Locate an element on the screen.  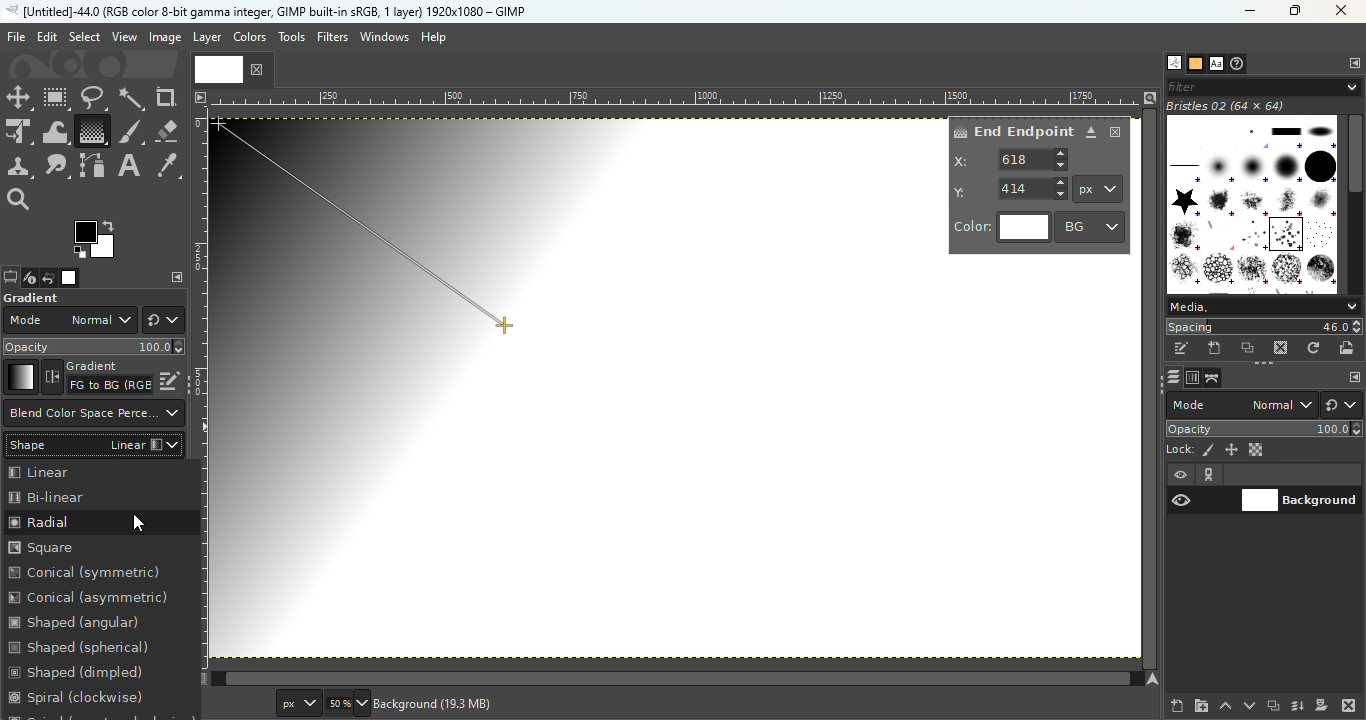
Spiral (clockwise) is located at coordinates (86, 697).